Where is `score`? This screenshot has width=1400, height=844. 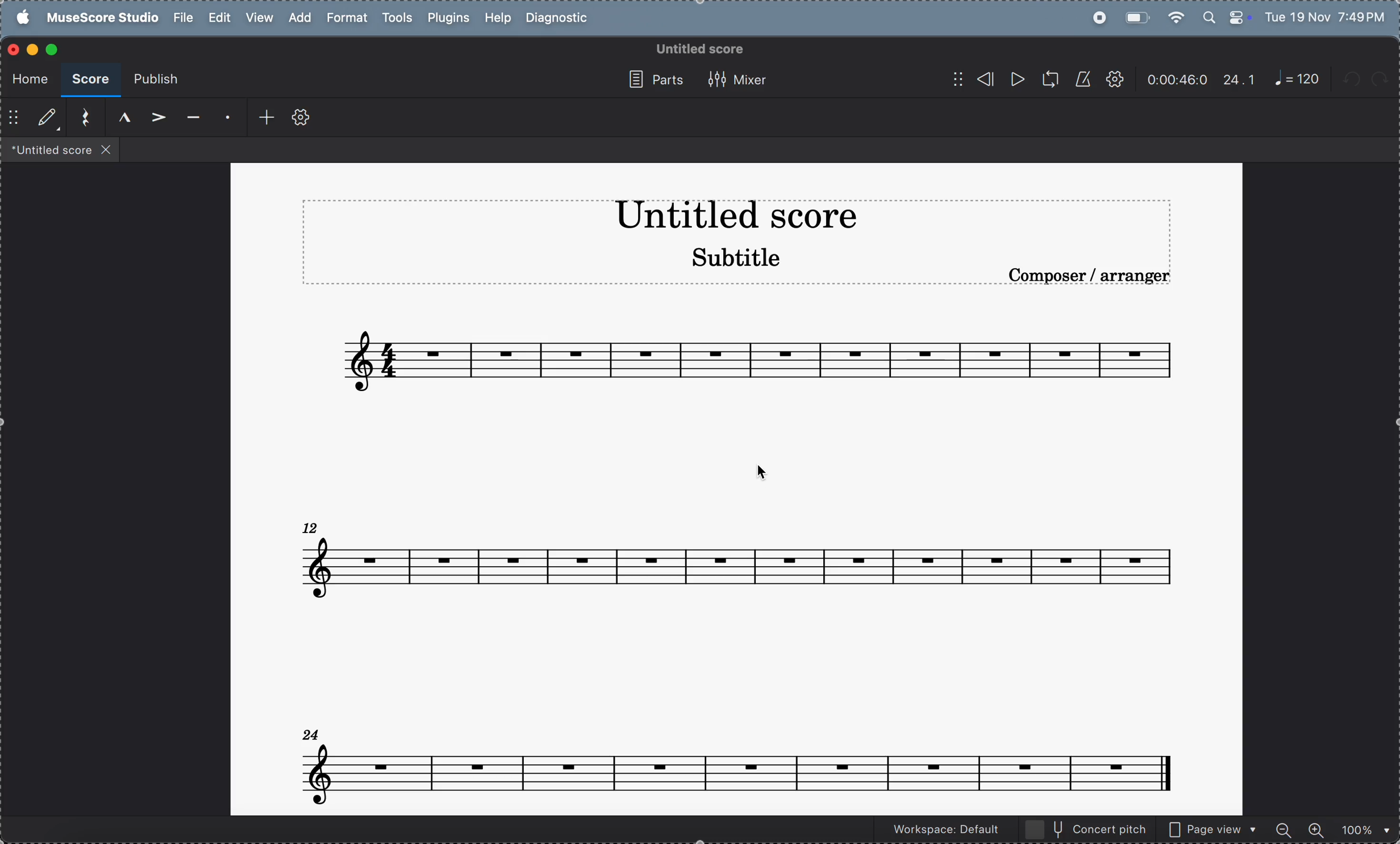 score is located at coordinates (90, 80).